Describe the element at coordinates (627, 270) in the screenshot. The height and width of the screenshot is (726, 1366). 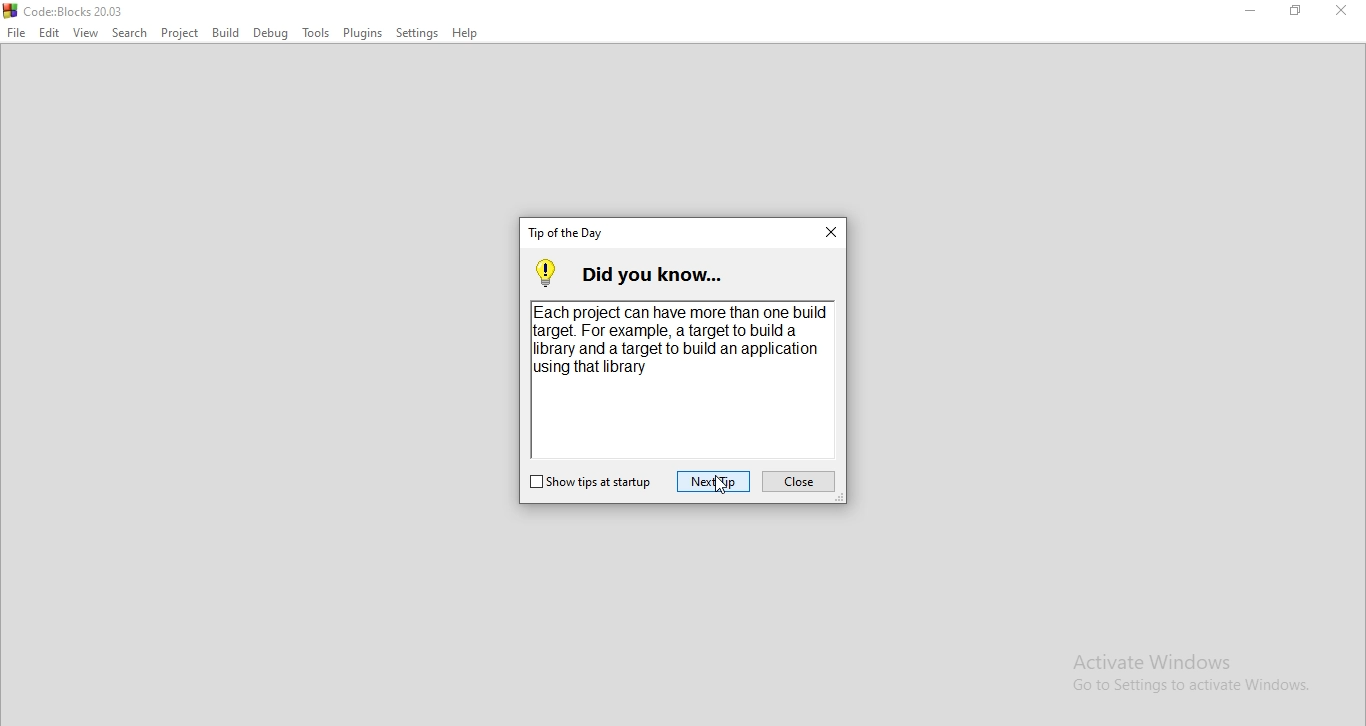
I see `did you know` at that location.